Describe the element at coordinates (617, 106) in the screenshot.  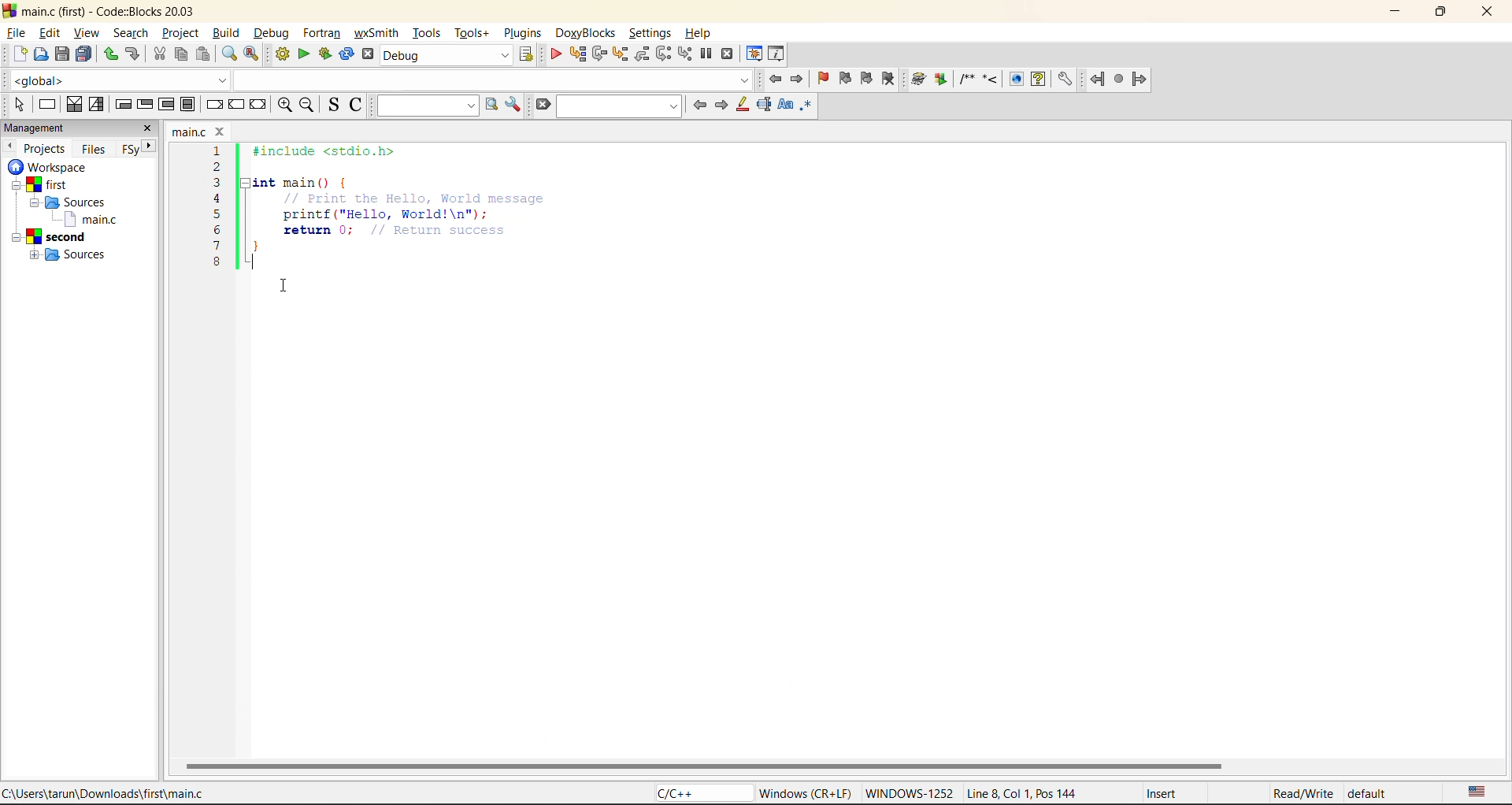
I see `search` at that location.